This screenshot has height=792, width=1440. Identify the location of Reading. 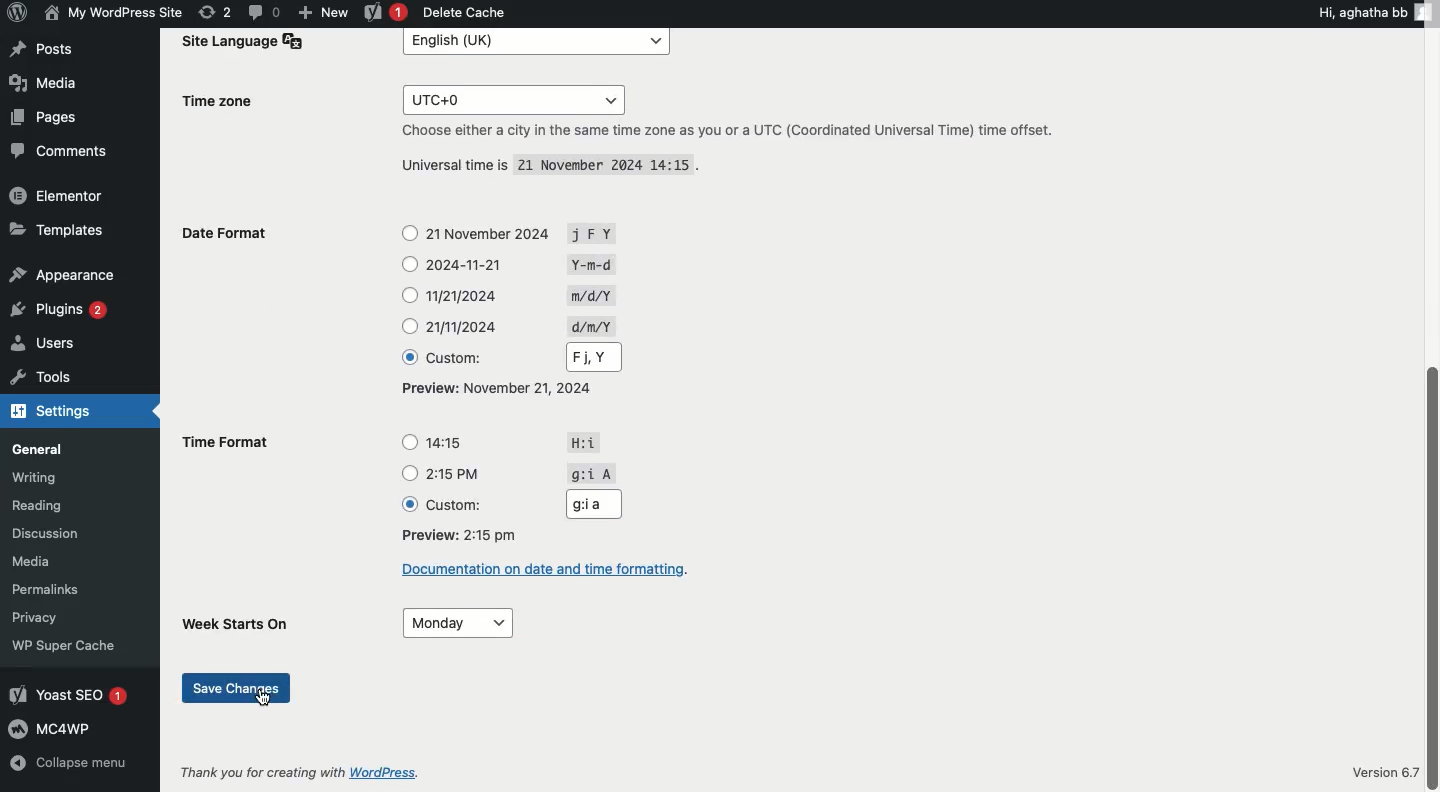
(49, 508).